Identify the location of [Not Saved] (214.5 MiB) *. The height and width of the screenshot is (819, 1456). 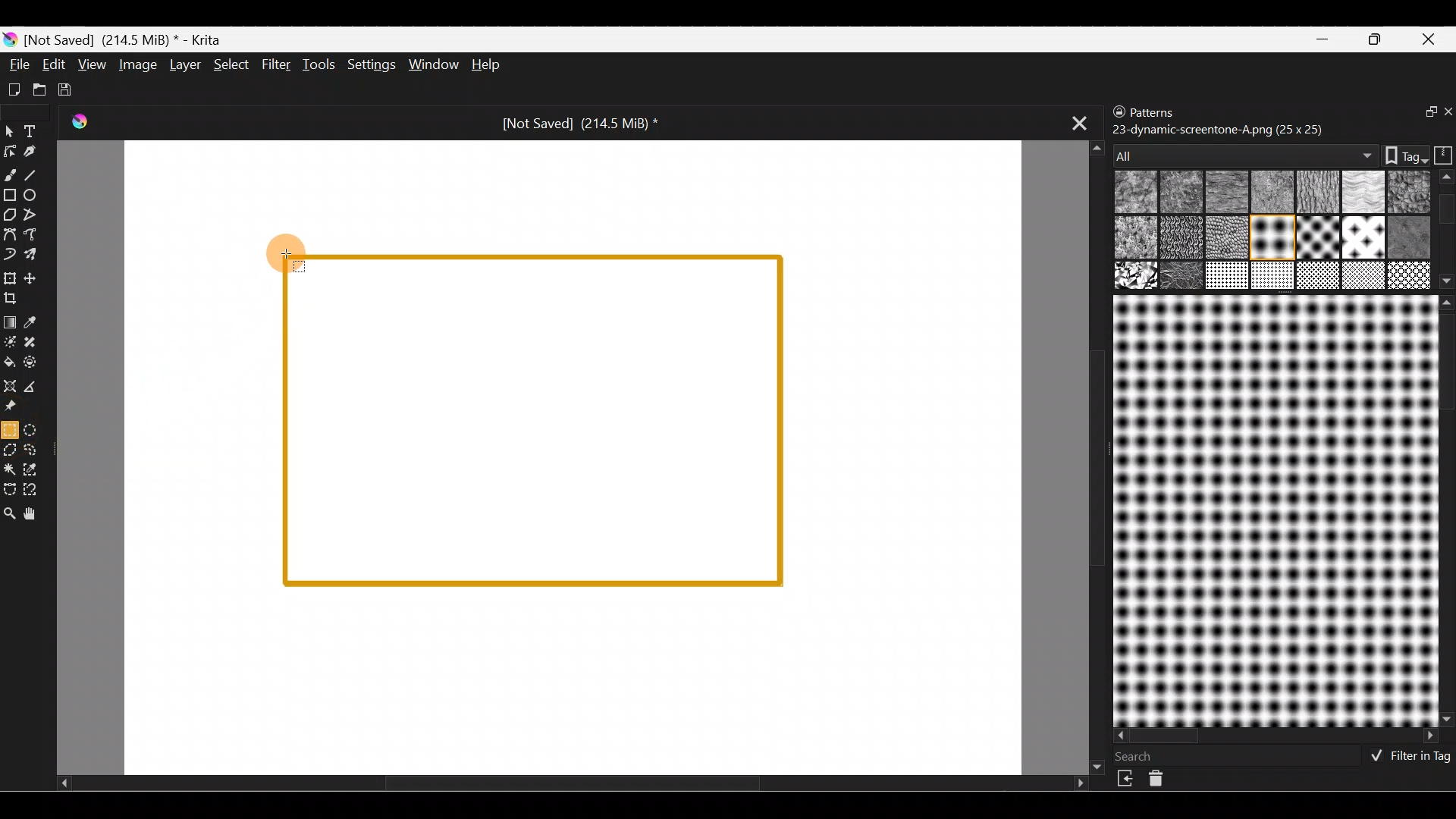
(579, 124).